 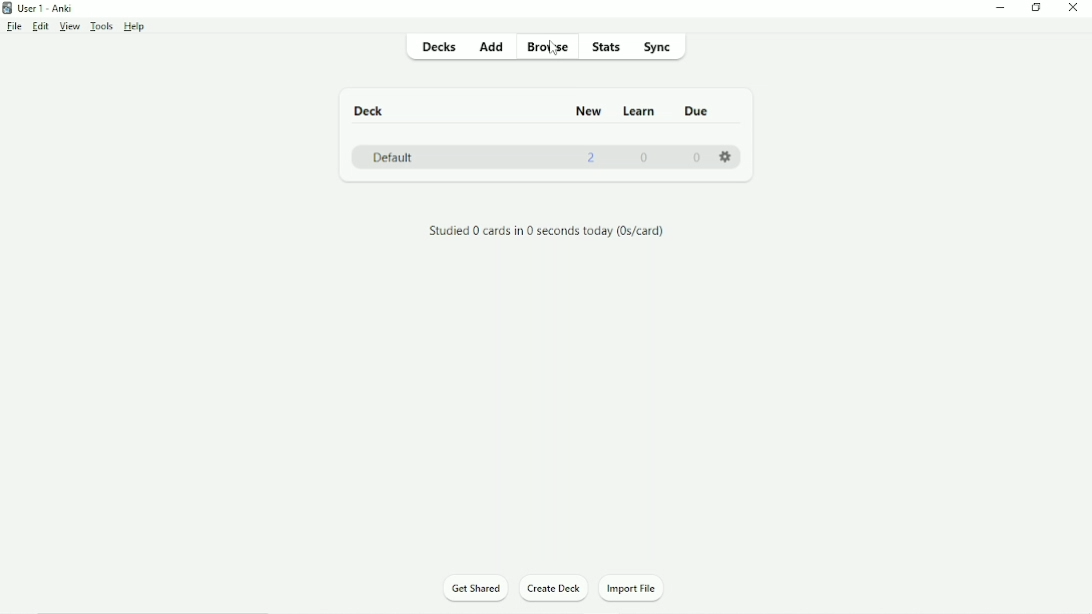 What do you see at coordinates (370, 111) in the screenshot?
I see `Deck` at bounding box center [370, 111].